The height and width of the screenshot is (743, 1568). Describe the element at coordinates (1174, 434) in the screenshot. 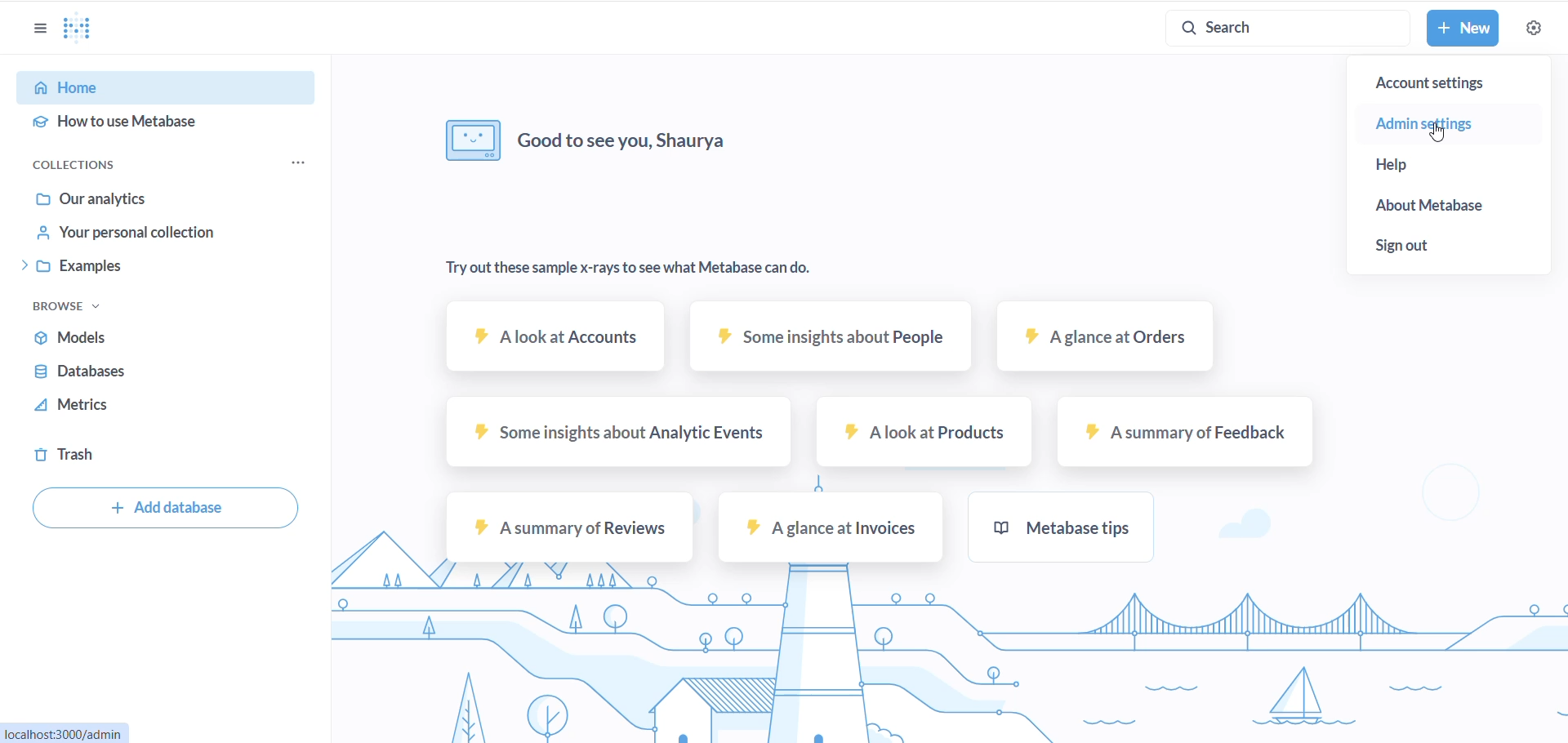

I see `A summary of feedback sample` at that location.